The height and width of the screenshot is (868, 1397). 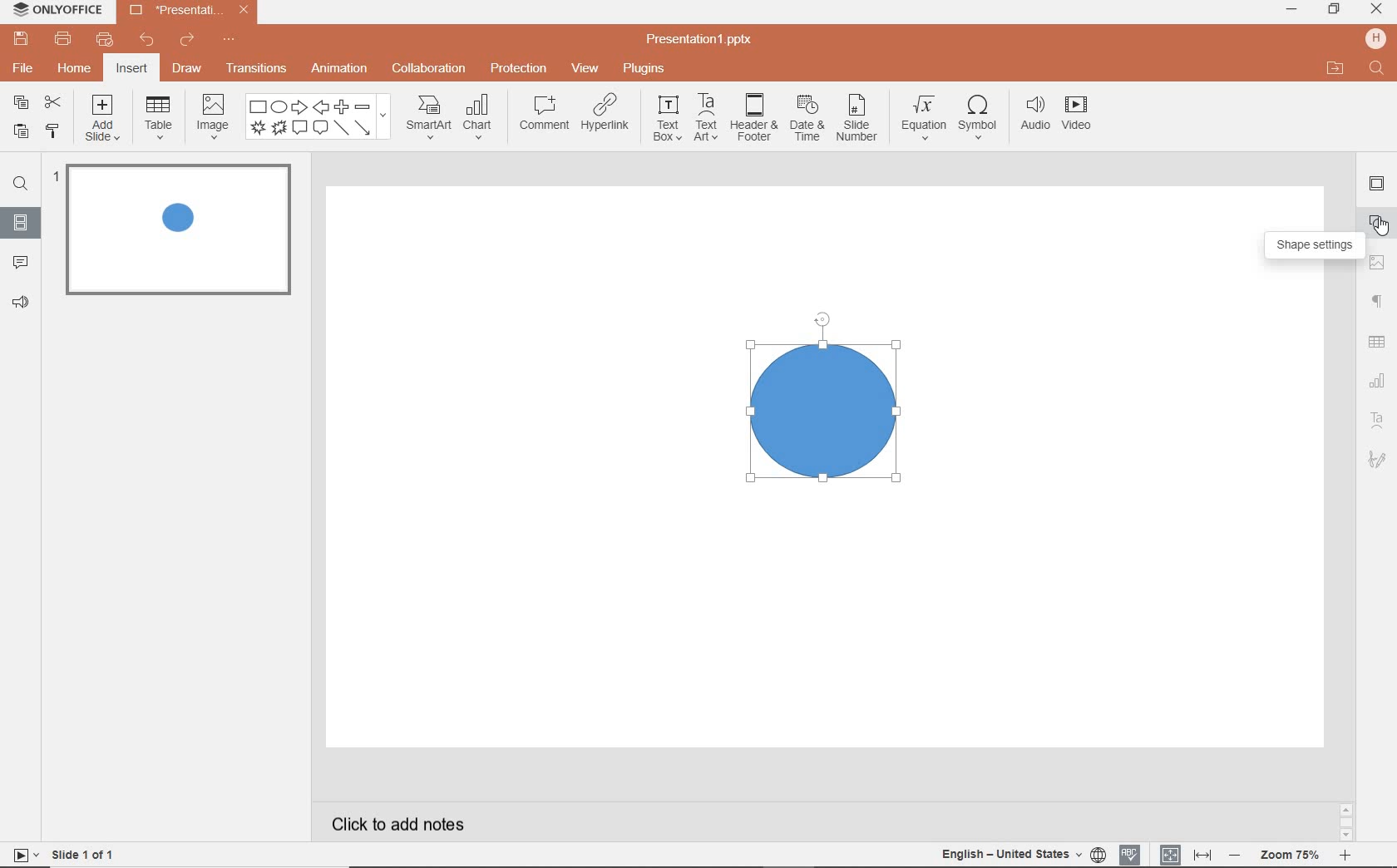 What do you see at coordinates (131, 69) in the screenshot?
I see `insert` at bounding box center [131, 69].